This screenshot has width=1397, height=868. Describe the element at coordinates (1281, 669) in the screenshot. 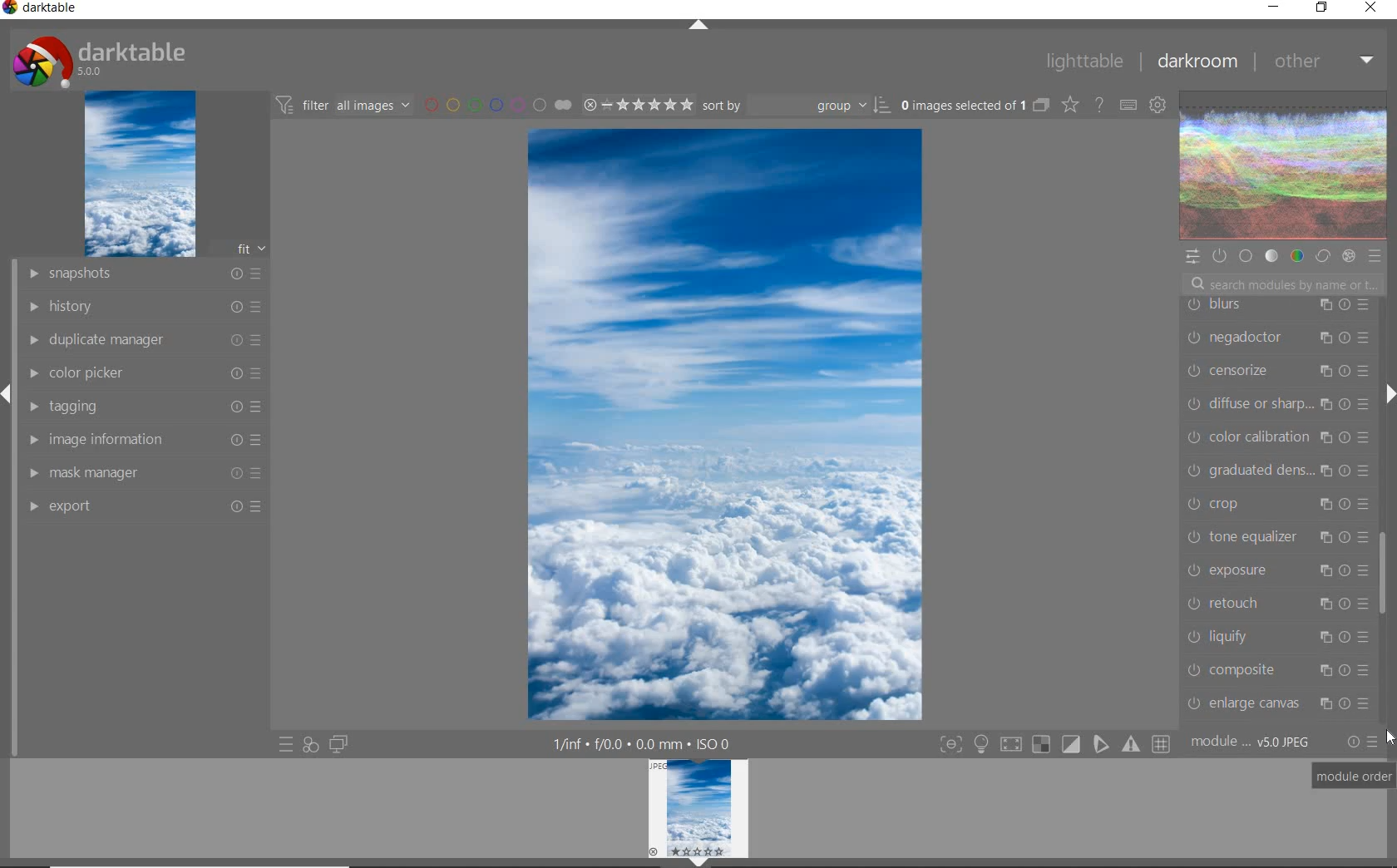

I see `composite` at that location.